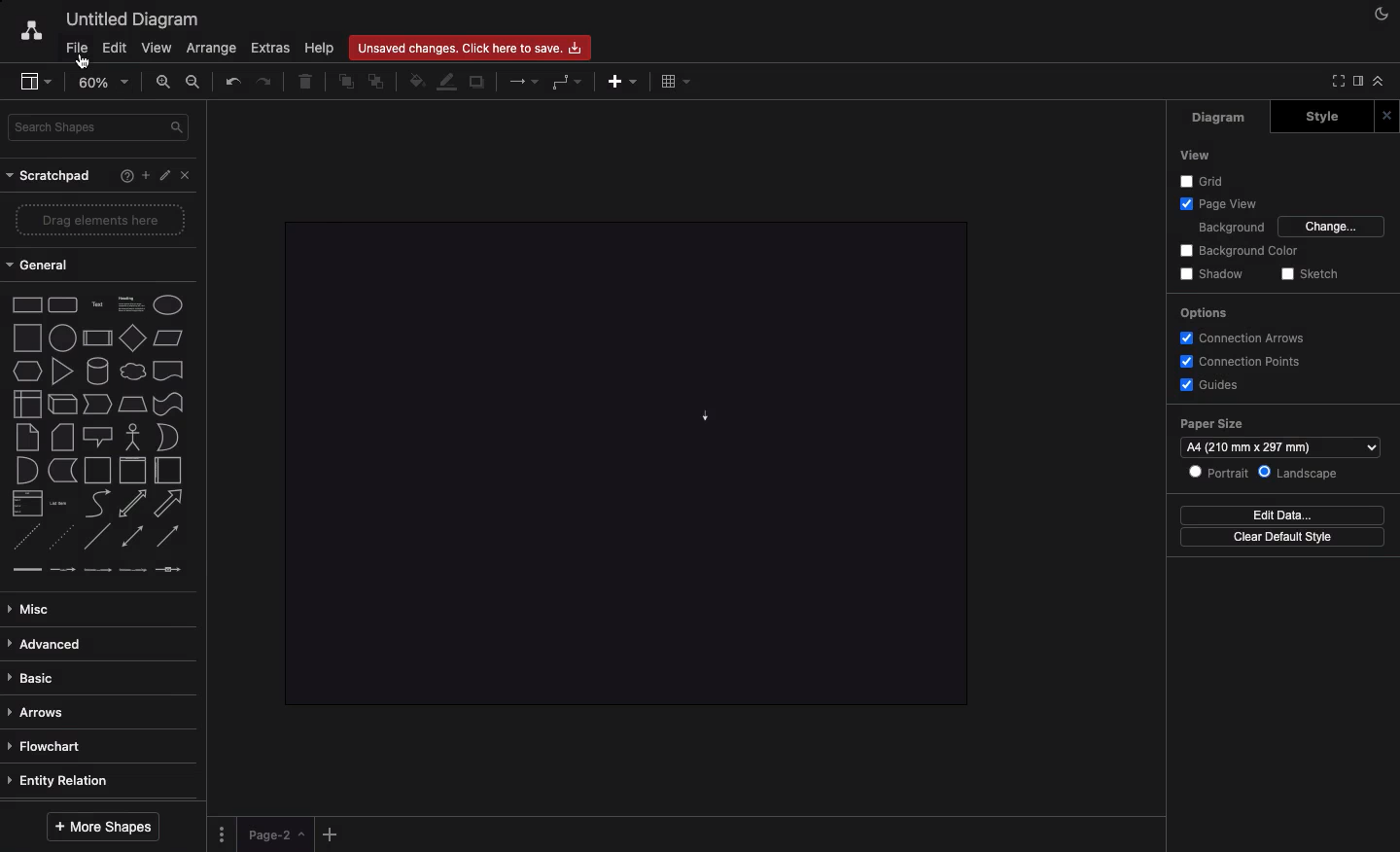 Image resolution: width=1400 pixels, height=852 pixels. Describe the element at coordinates (1281, 426) in the screenshot. I see `Paper size` at that location.